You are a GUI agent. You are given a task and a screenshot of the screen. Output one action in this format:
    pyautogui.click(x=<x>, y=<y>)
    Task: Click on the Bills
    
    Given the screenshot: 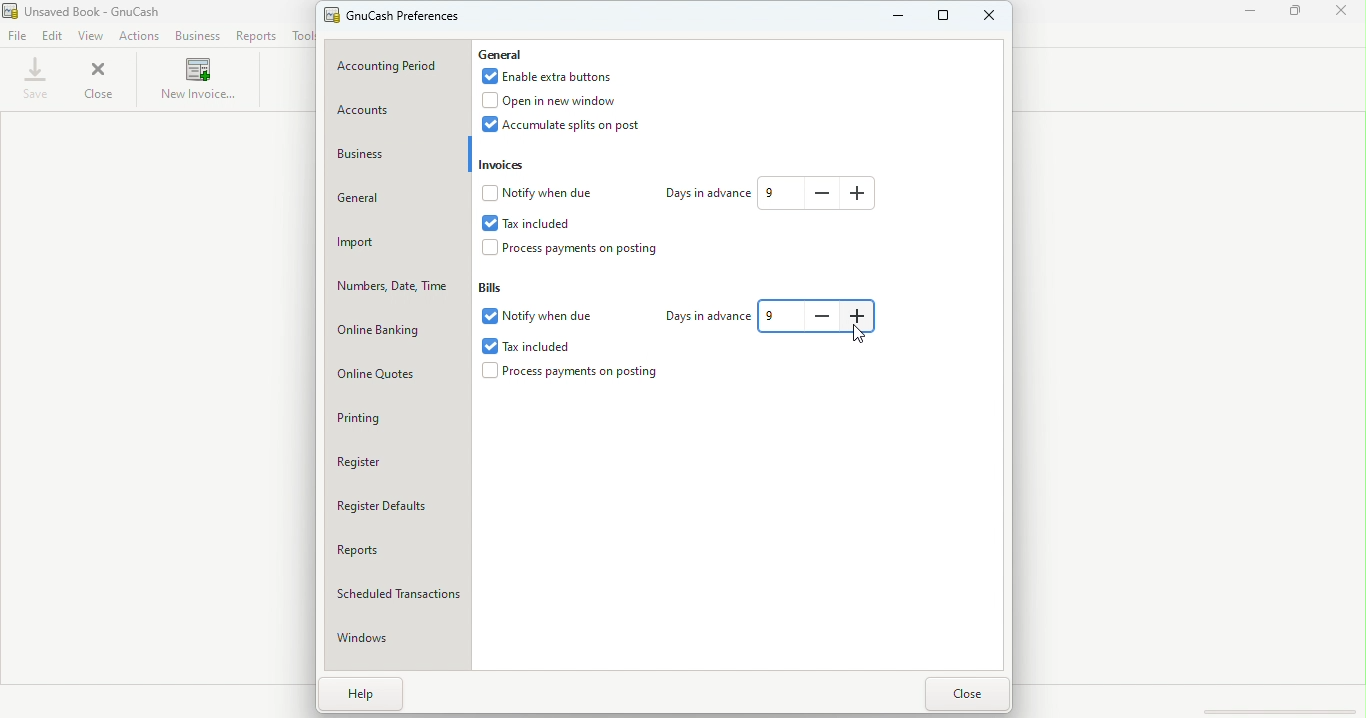 What is the action you would take?
    pyautogui.click(x=498, y=289)
    